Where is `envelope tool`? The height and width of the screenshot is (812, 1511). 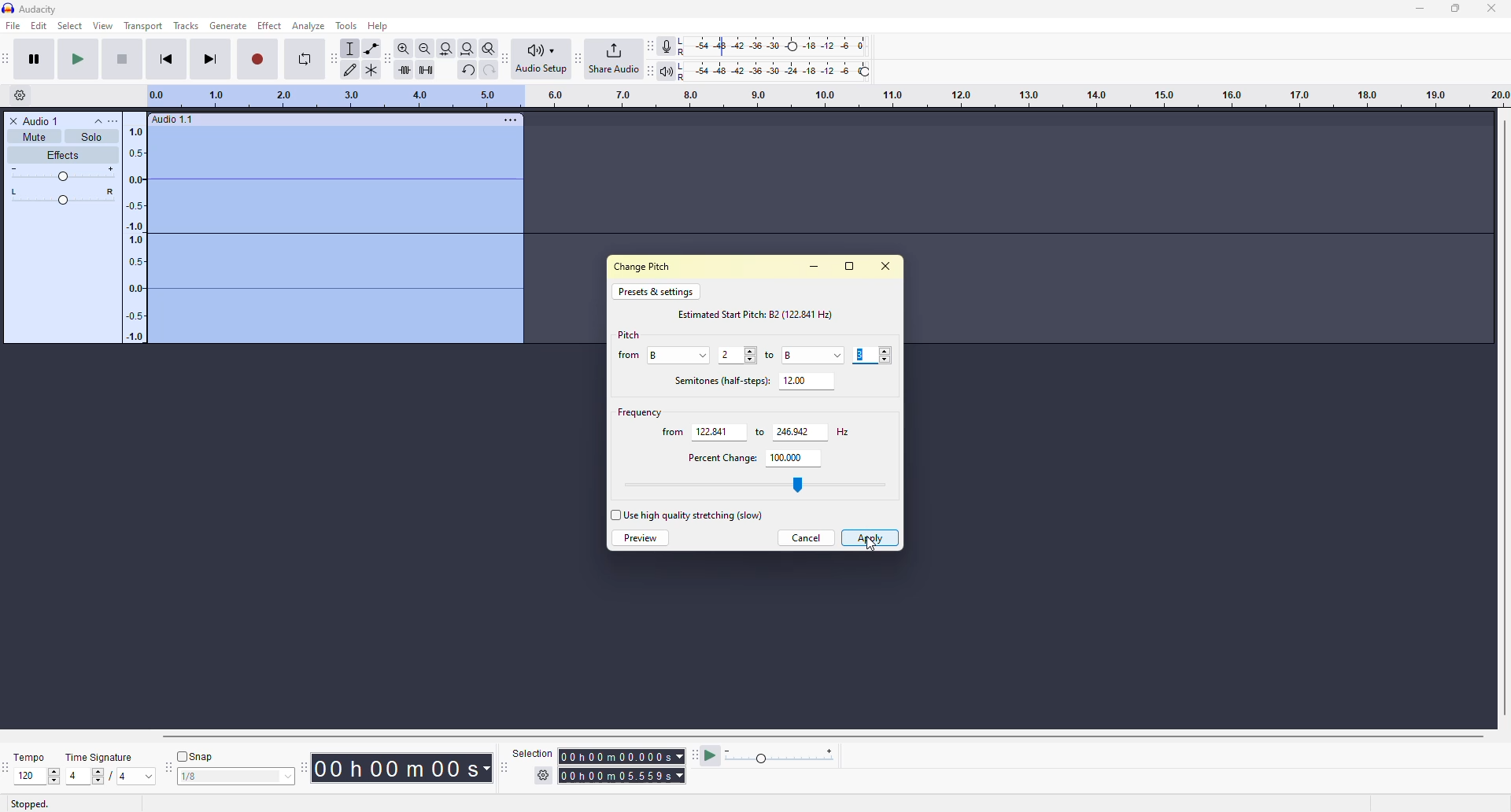 envelope tool is located at coordinates (371, 49).